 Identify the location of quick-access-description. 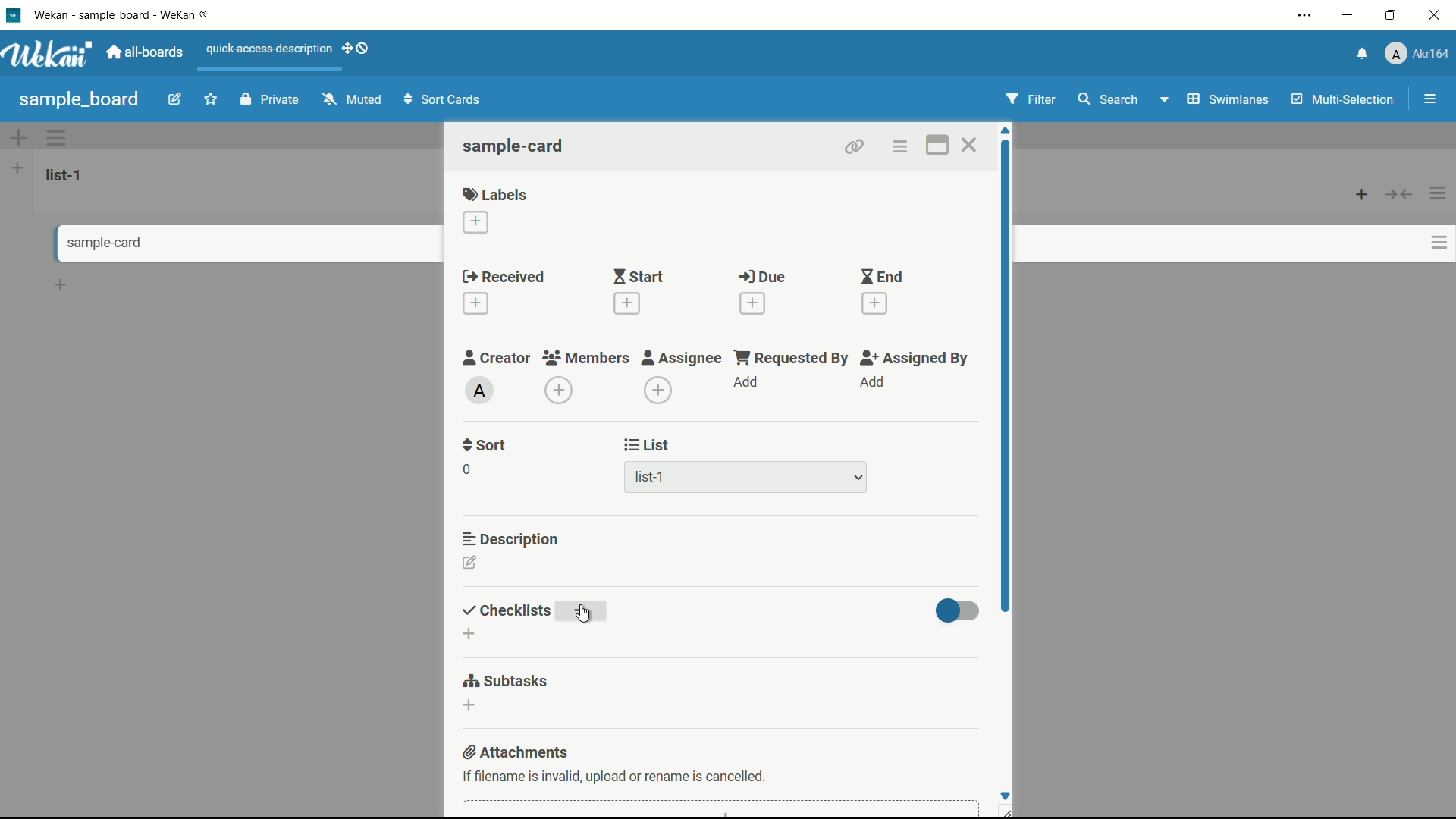
(270, 49).